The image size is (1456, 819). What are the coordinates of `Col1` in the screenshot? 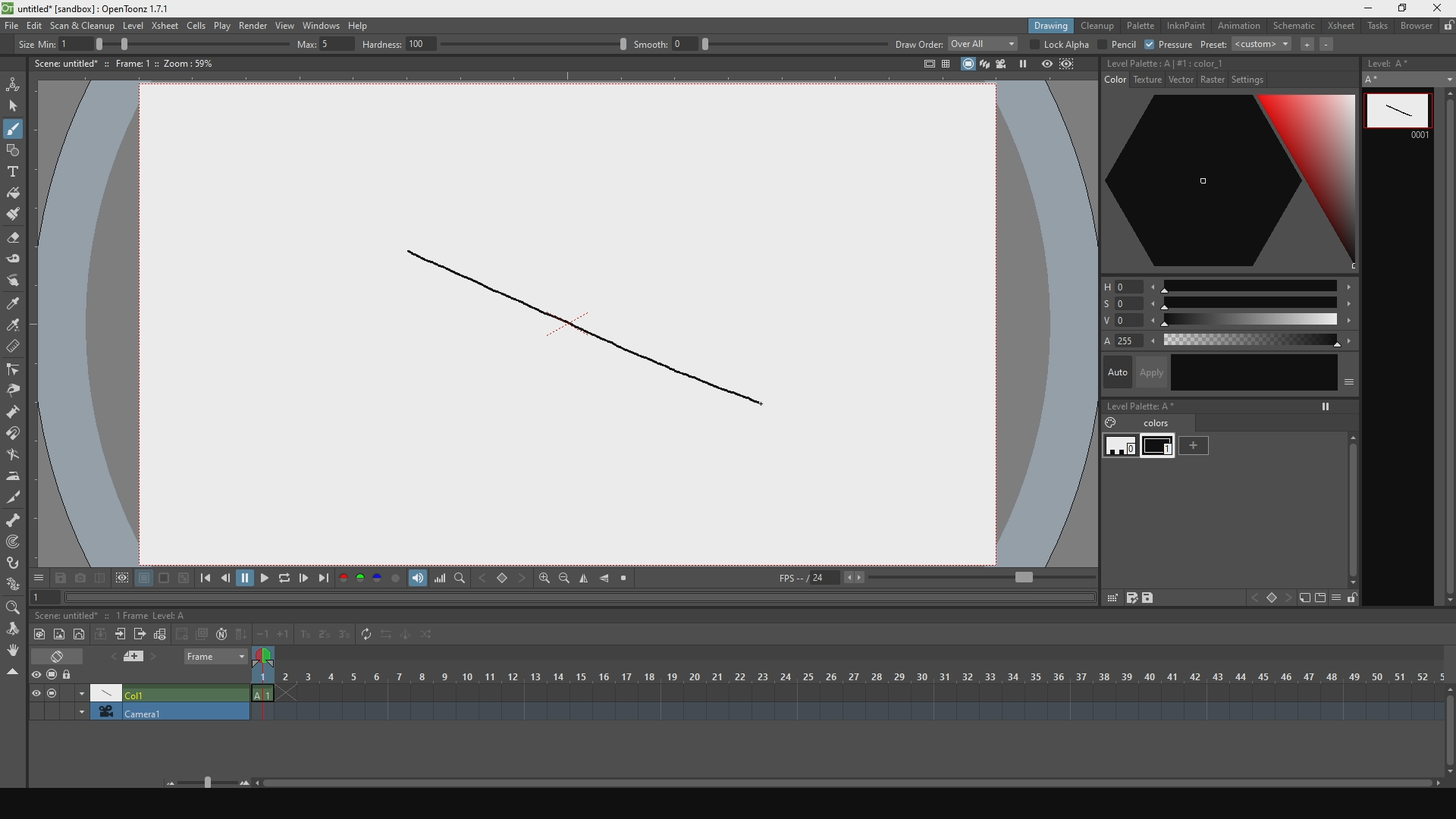 It's located at (162, 692).